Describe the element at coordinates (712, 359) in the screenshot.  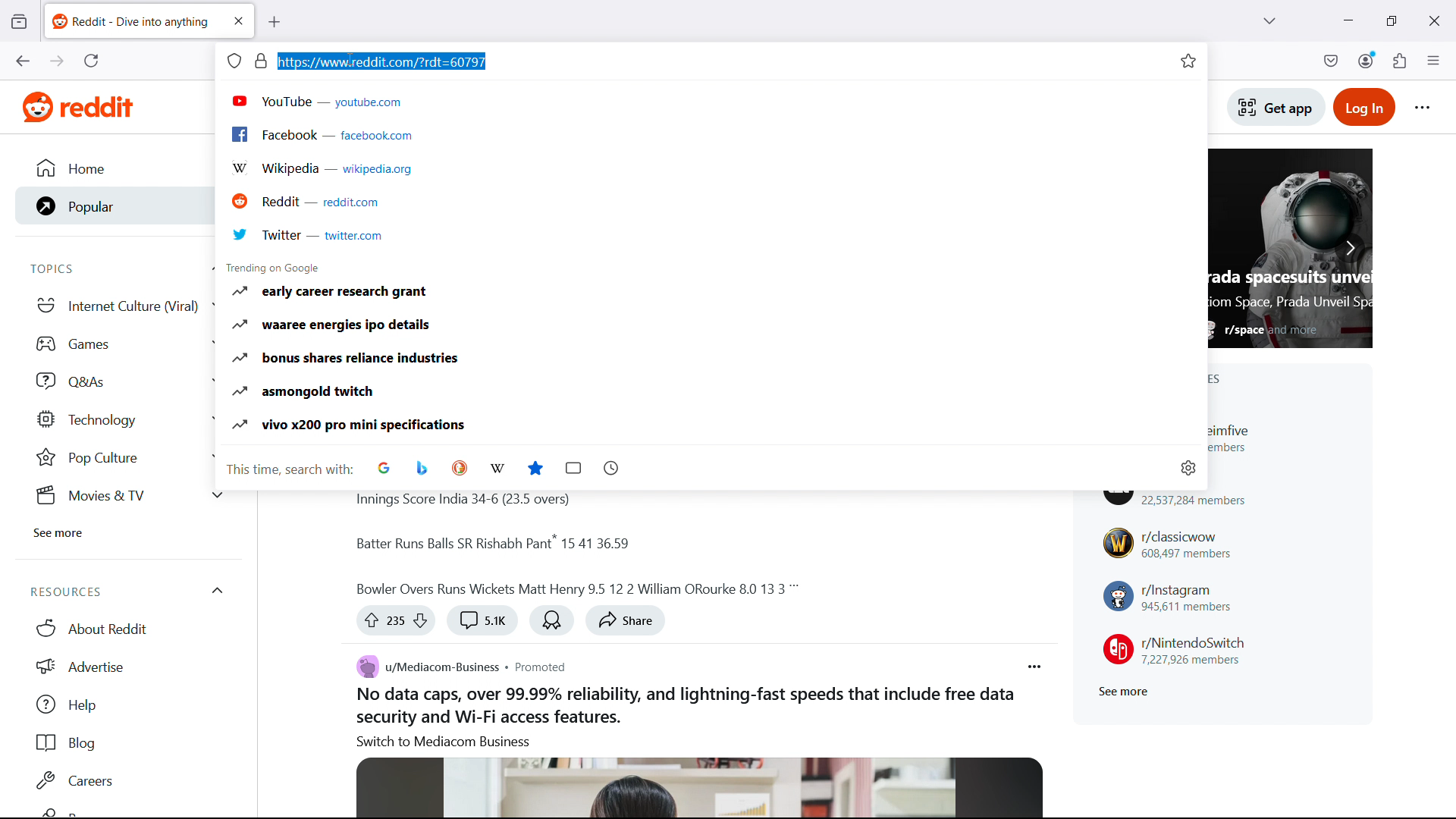
I see `Bonus shares reliance industries` at that location.